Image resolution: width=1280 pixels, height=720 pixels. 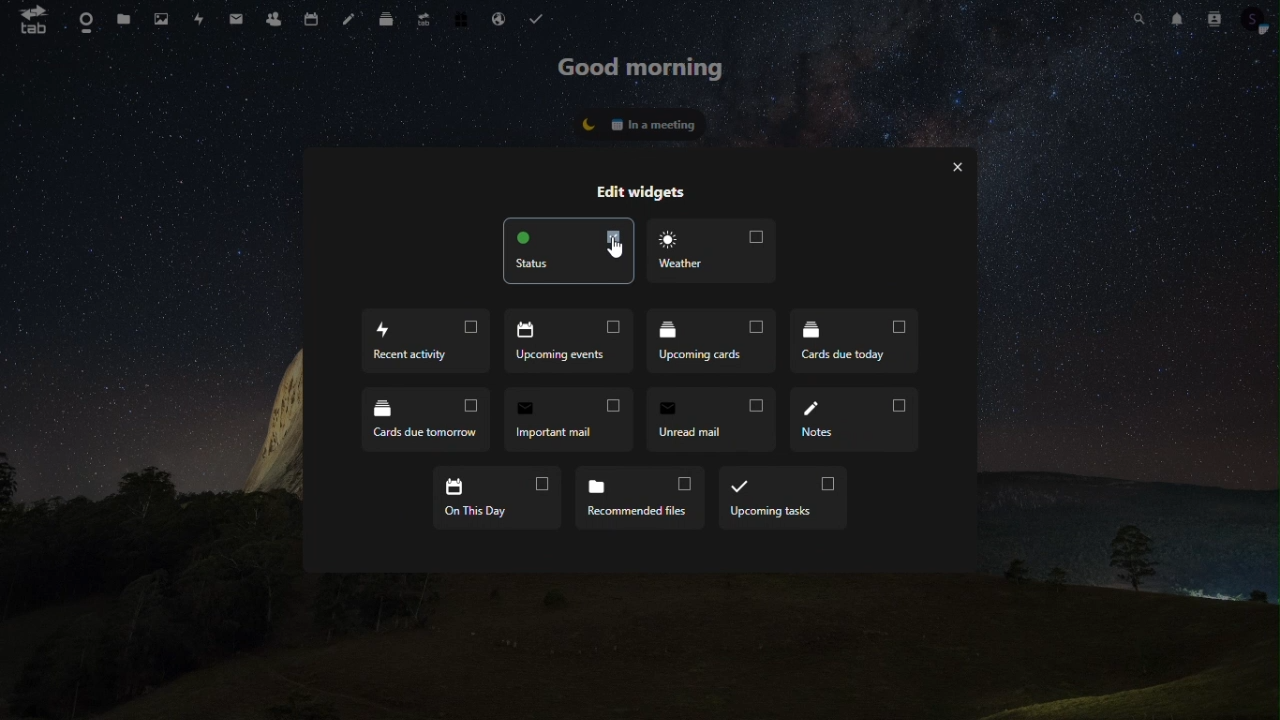 What do you see at coordinates (642, 70) in the screenshot?
I see `good morning` at bounding box center [642, 70].